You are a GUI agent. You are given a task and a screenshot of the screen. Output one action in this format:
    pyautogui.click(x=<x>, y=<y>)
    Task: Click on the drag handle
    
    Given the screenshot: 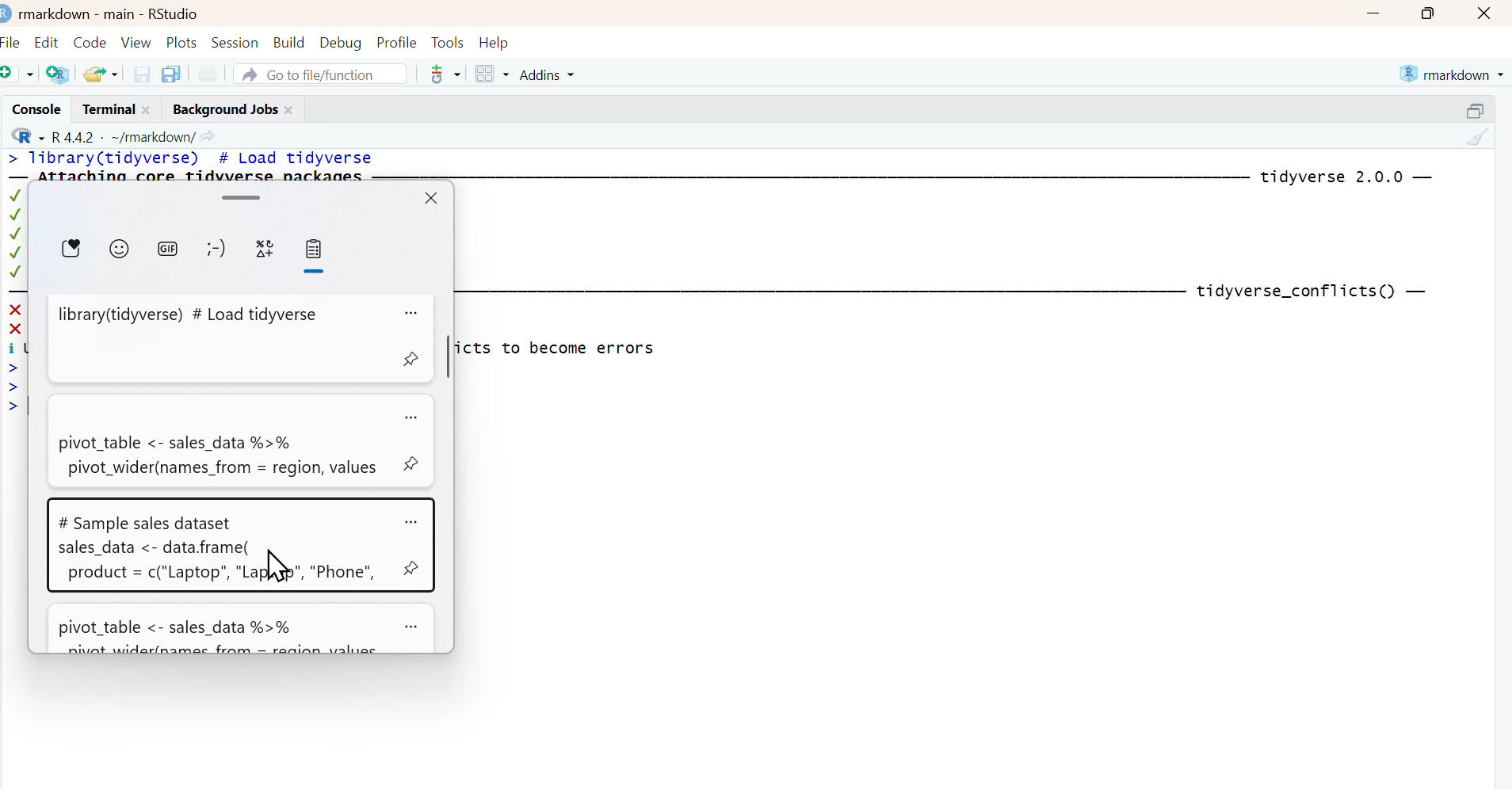 What is the action you would take?
    pyautogui.click(x=243, y=196)
    